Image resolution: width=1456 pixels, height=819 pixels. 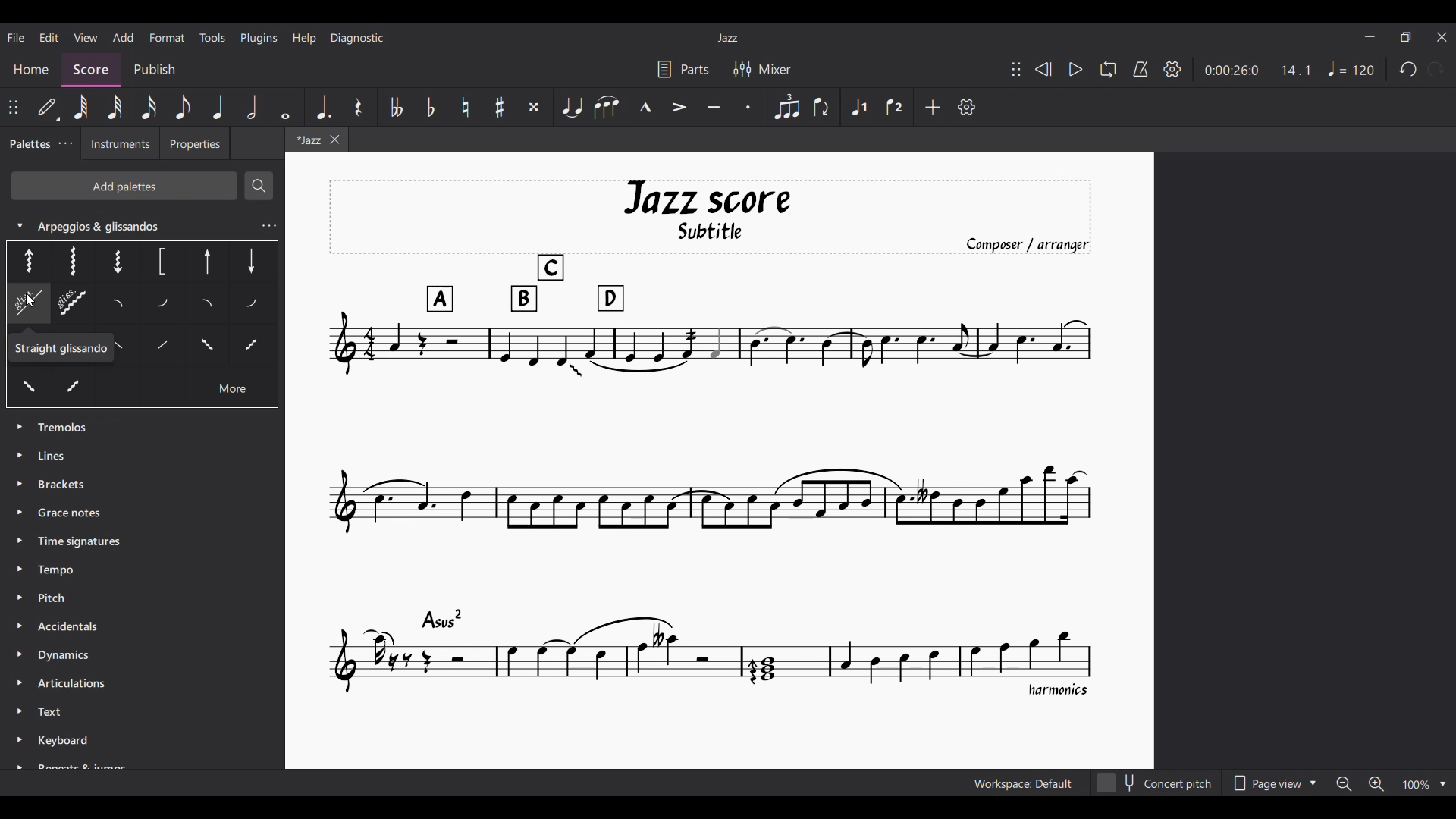 I want to click on Instruments, so click(x=115, y=145).